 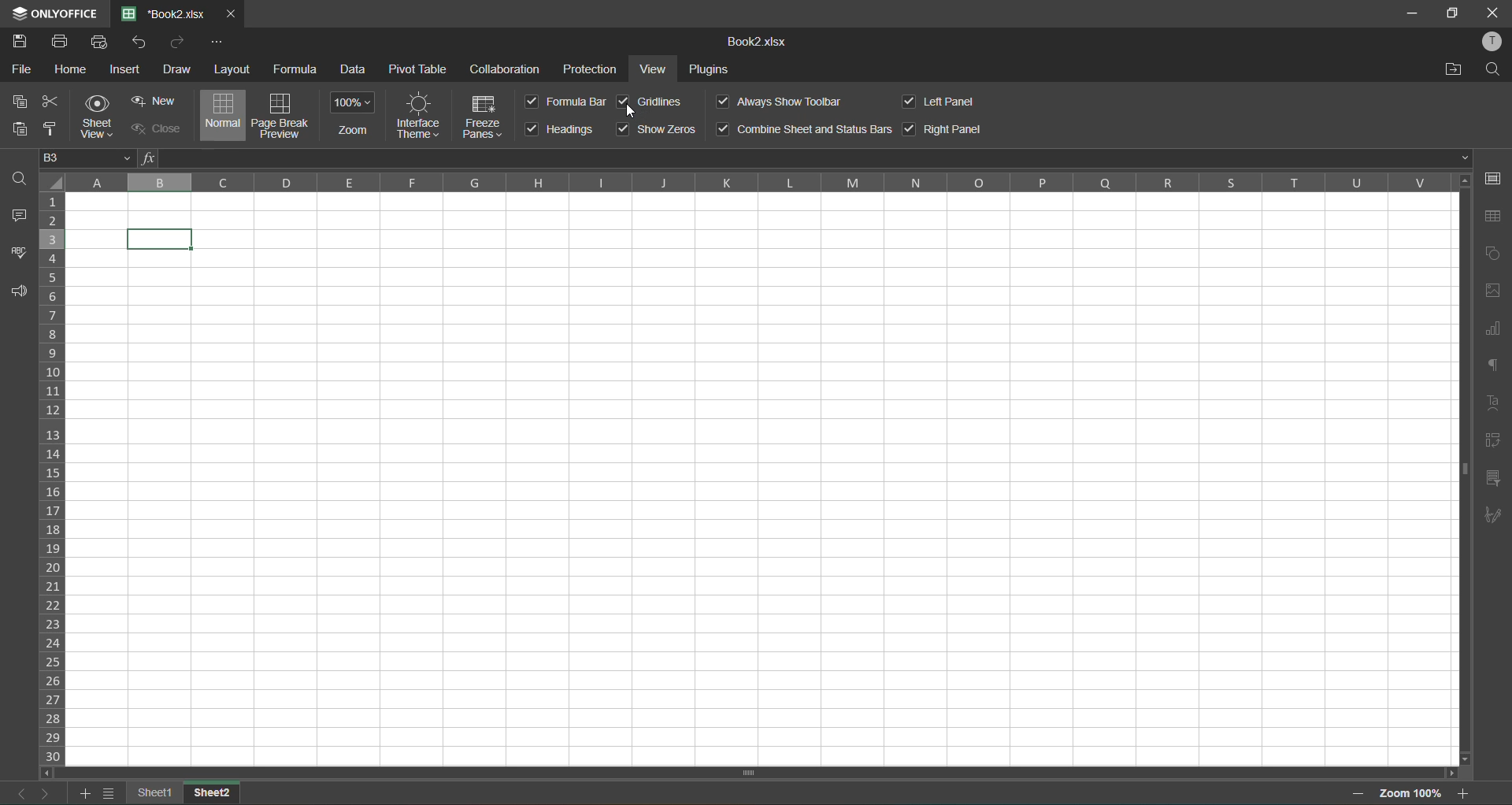 What do you see at coordinates (561, 130) in the screenshot?
I see `heading` at bounding box center [561, 130].